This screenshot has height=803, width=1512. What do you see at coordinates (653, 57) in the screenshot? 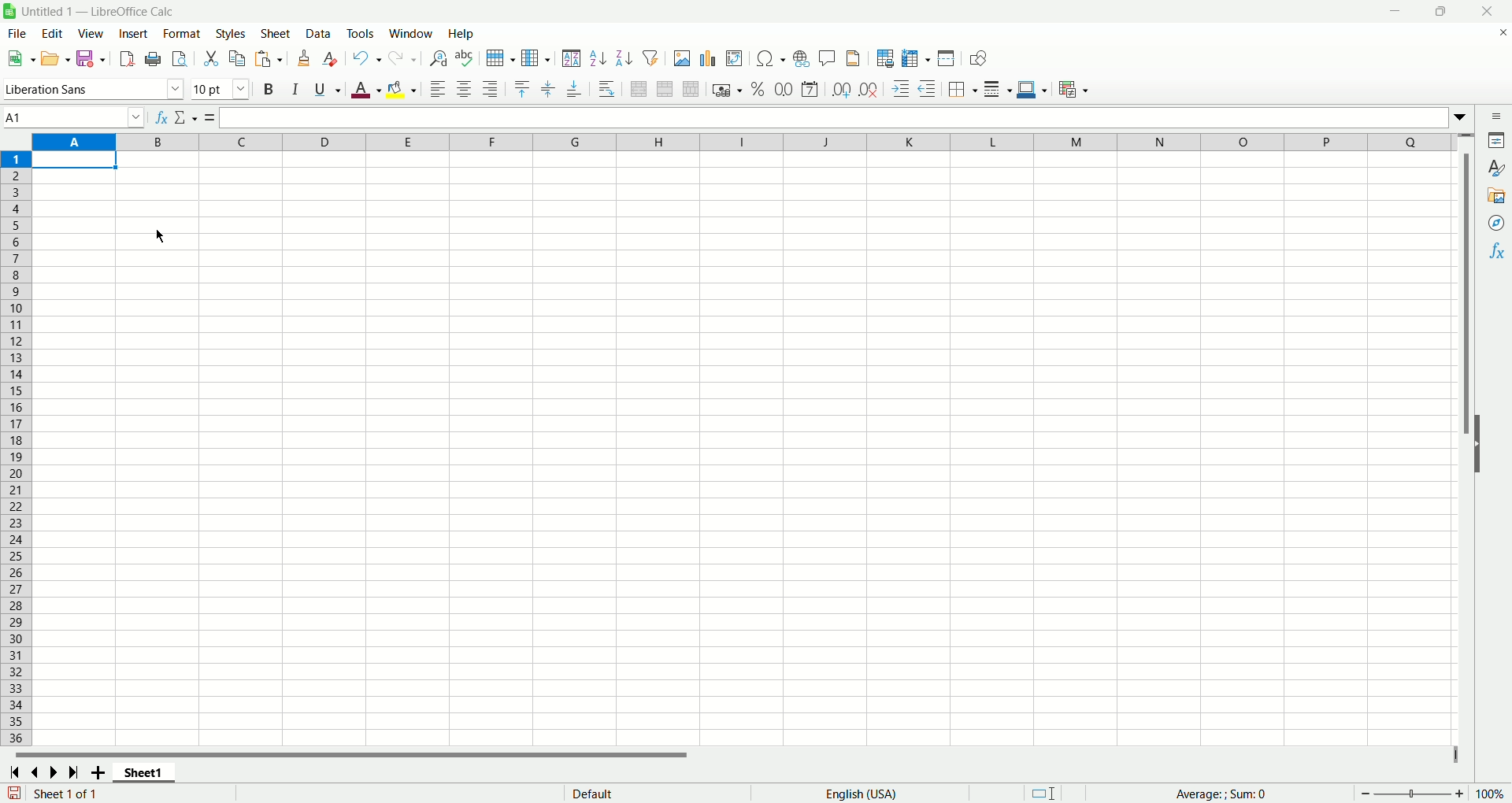
I see `autofilter` at bounding box center [653, 57].